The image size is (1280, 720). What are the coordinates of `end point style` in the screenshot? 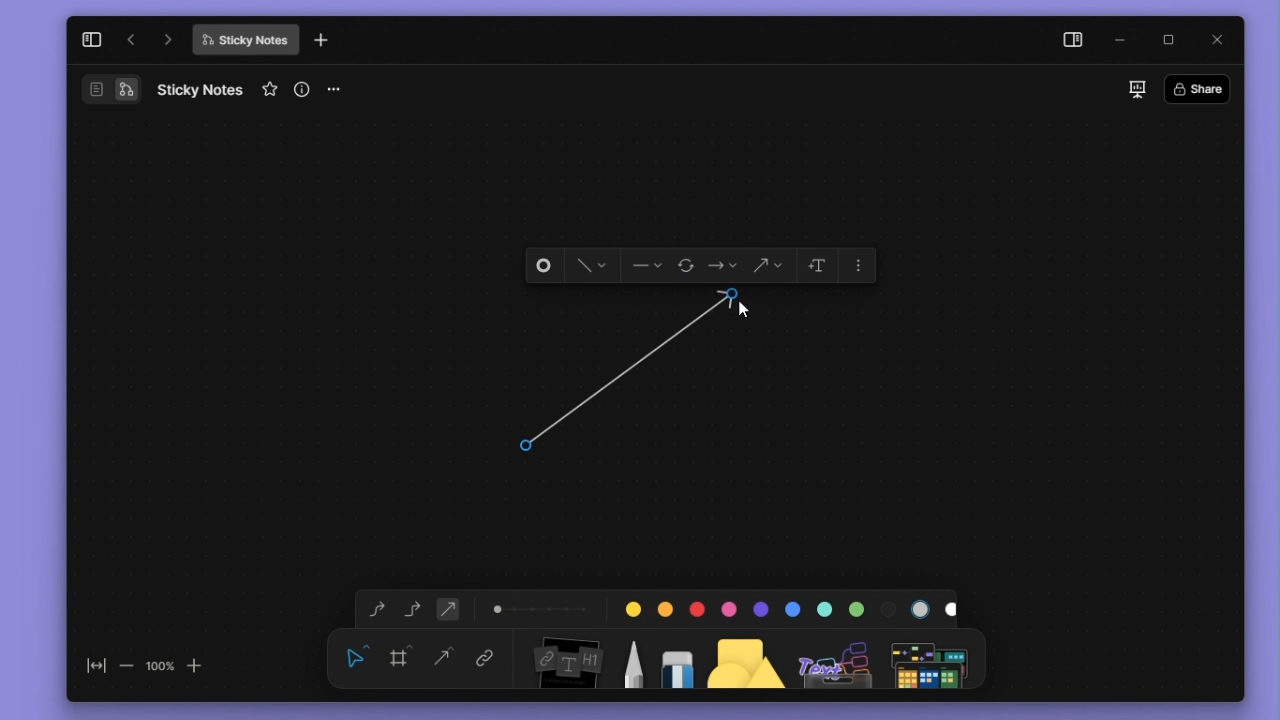 It's located at (723, 266).